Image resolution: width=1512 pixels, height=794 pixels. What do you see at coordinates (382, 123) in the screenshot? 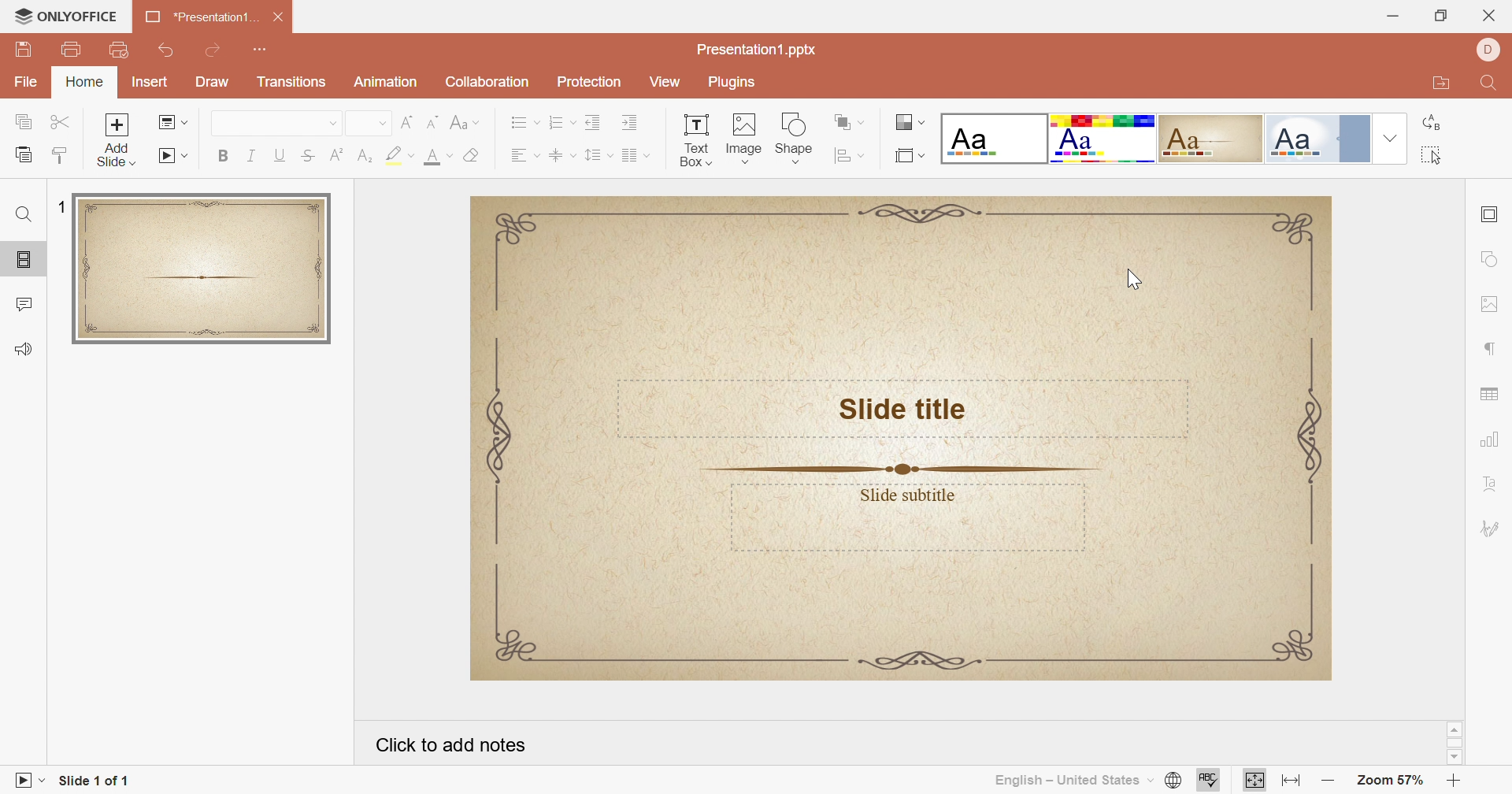
I see `Drop Down` at bounding box center [382, 123].